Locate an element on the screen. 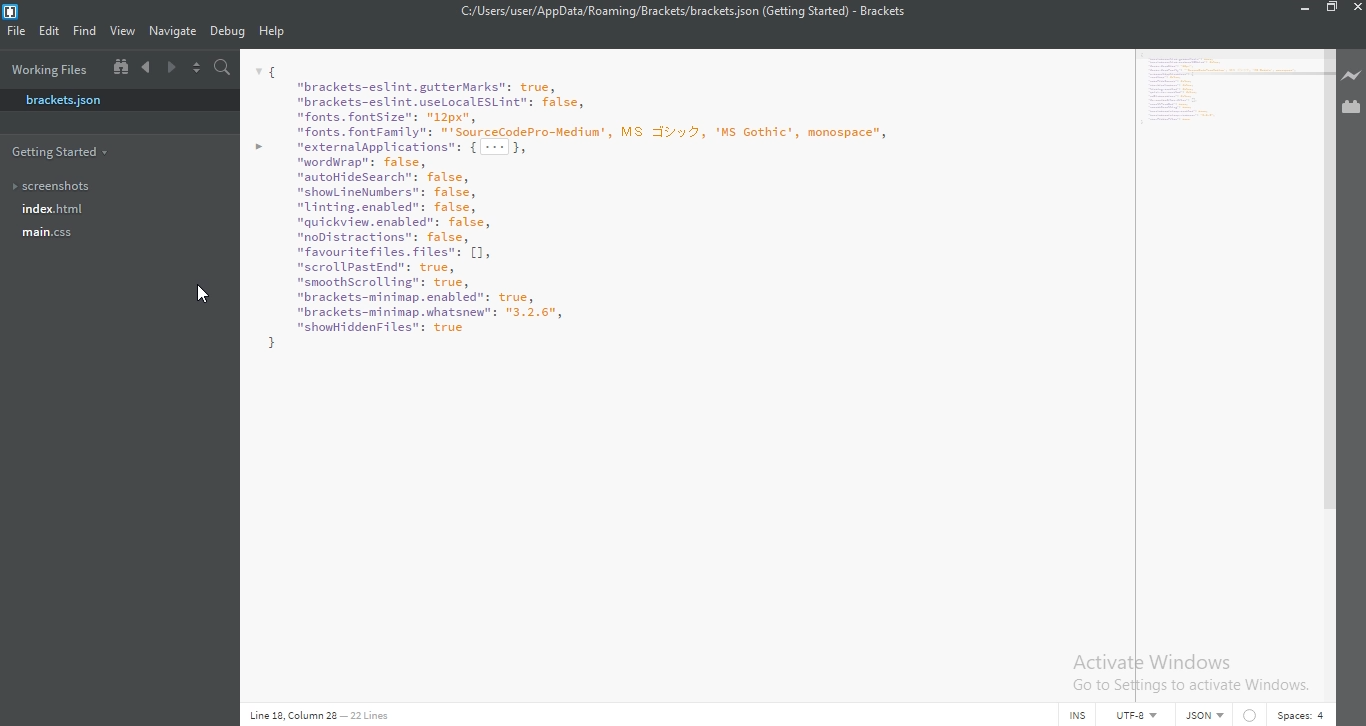 The width and height of the screenshot is (1366, 726). JSON is located at coordinates (1202, 716).